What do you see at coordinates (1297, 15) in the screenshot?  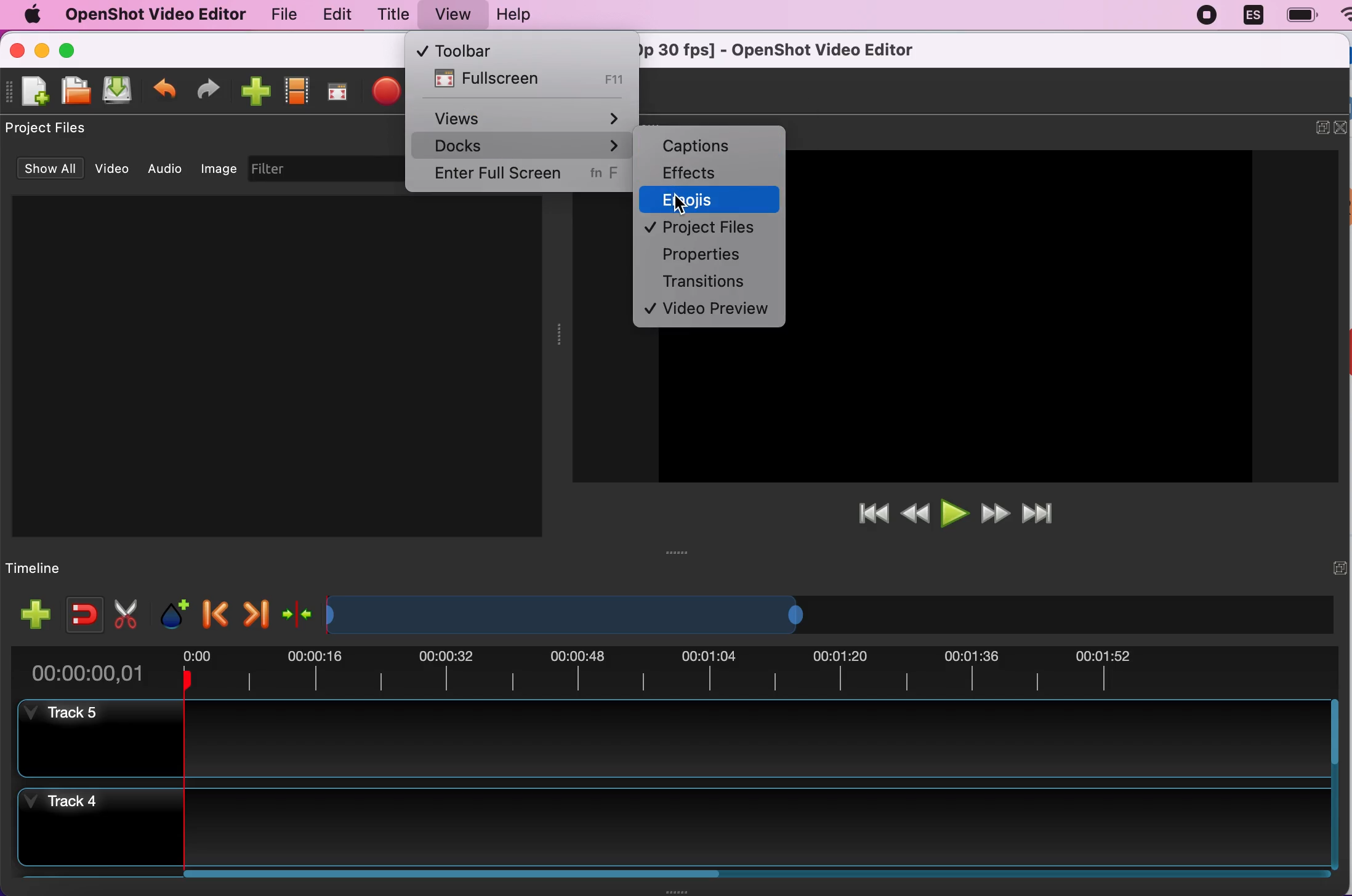 I see `battery` at bounding box center [1297, 15].